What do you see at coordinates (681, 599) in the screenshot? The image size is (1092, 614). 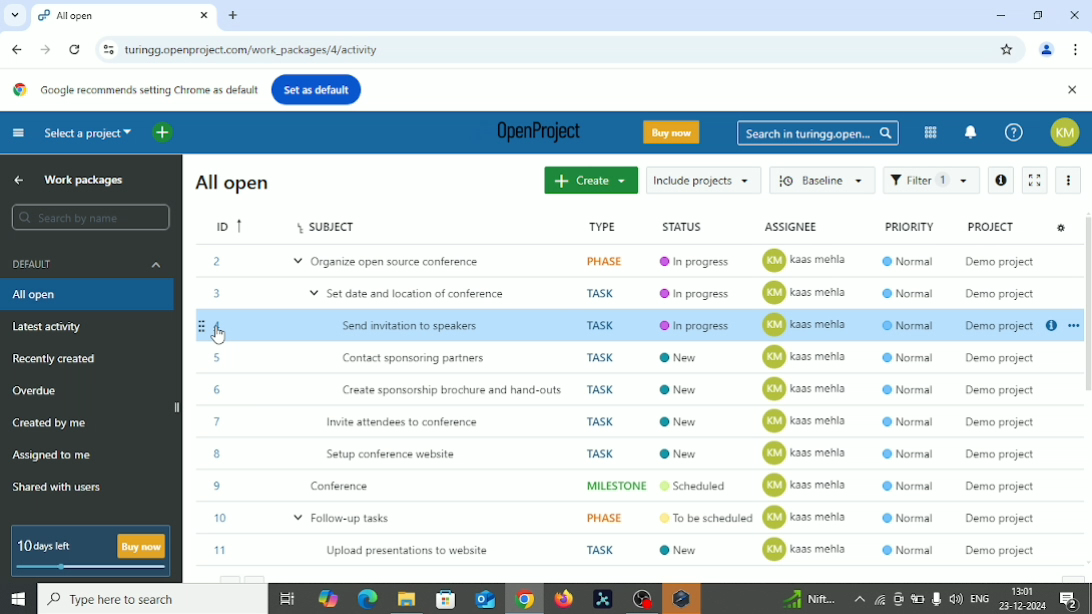 I see `Warning` at bounding box center [681, 599].